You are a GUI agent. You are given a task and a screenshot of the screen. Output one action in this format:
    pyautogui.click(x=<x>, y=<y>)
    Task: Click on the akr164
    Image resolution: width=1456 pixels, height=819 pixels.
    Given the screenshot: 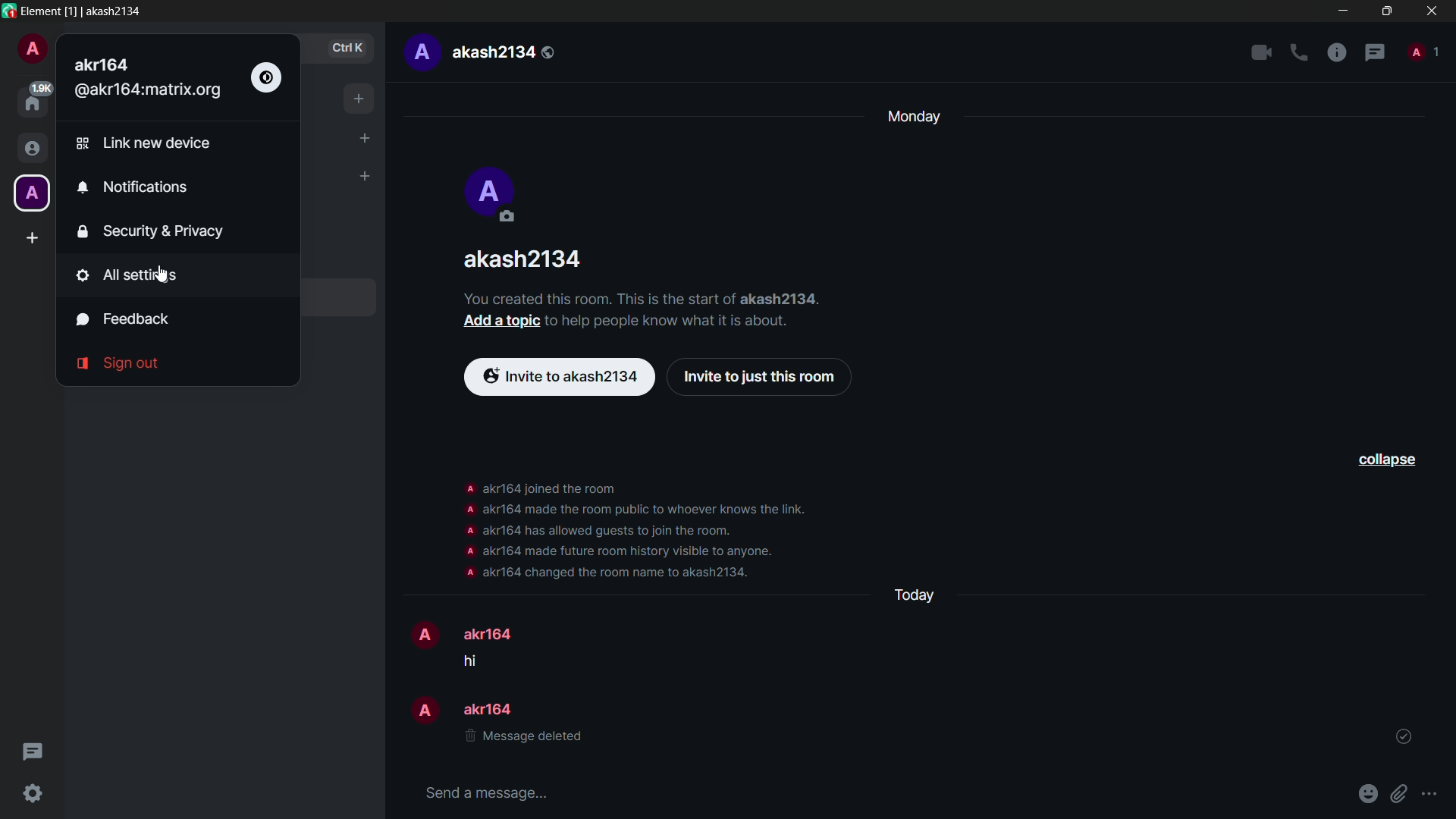 What is the action you would take?
    pyautogui.click(x=491, y=709)
    